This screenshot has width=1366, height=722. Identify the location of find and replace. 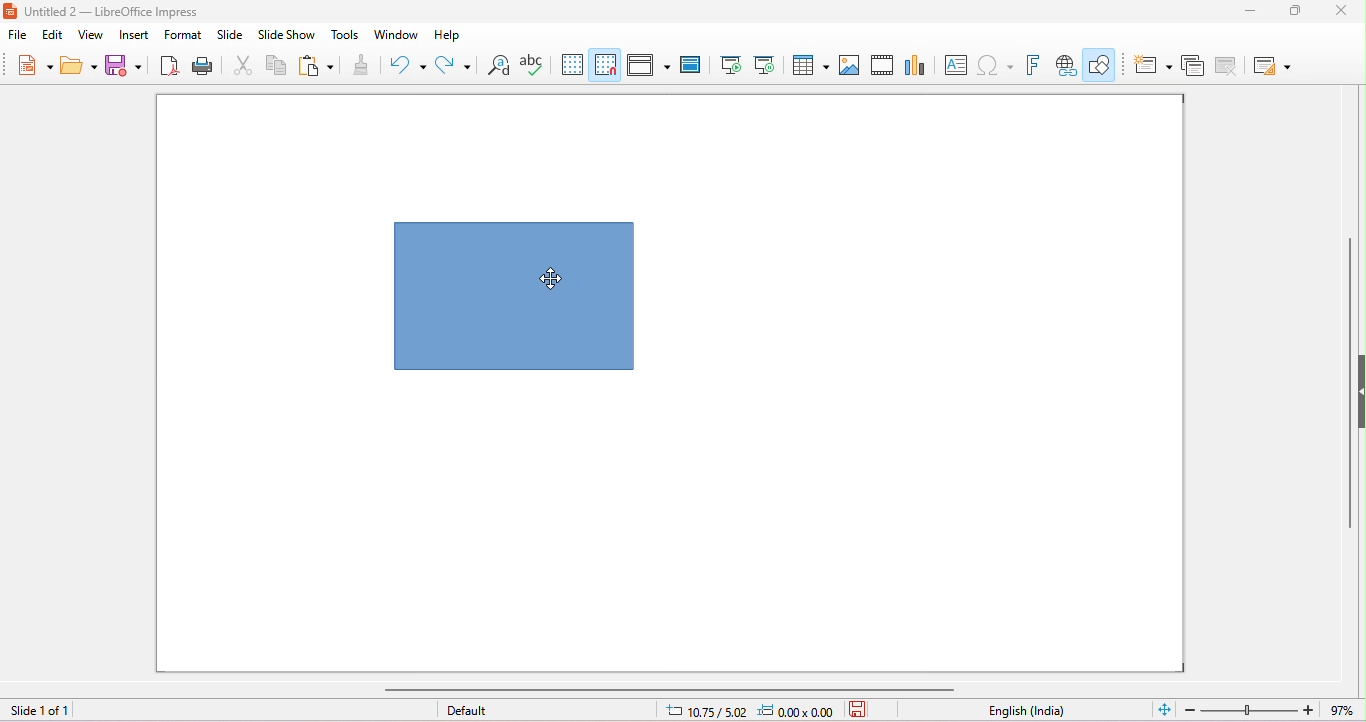
(500, 65).